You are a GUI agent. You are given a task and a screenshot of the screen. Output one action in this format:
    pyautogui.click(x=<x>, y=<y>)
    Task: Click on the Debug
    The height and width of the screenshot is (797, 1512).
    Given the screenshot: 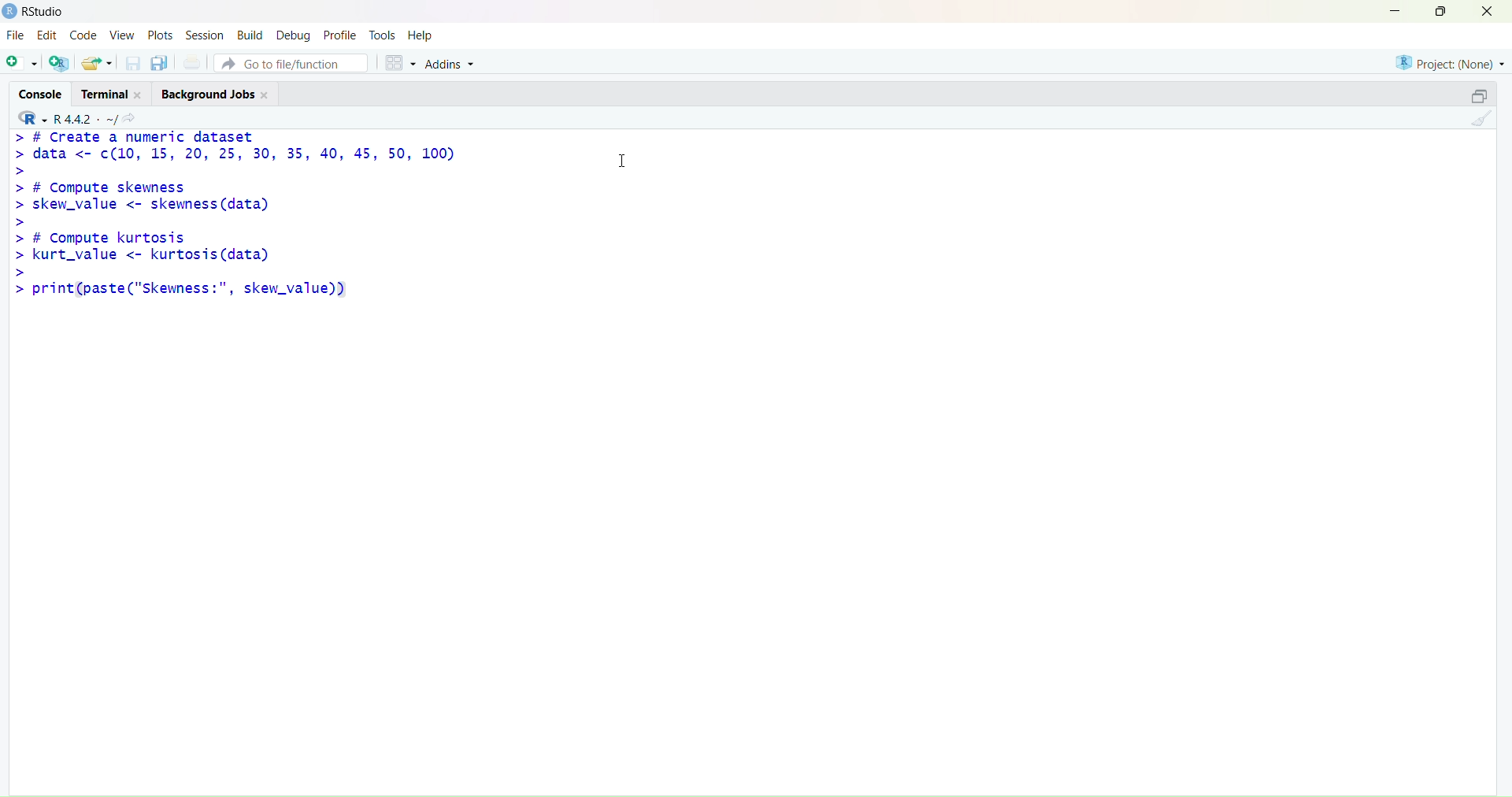 What is the action you would take?
    pyautogui.click(x=294, y=34)
    